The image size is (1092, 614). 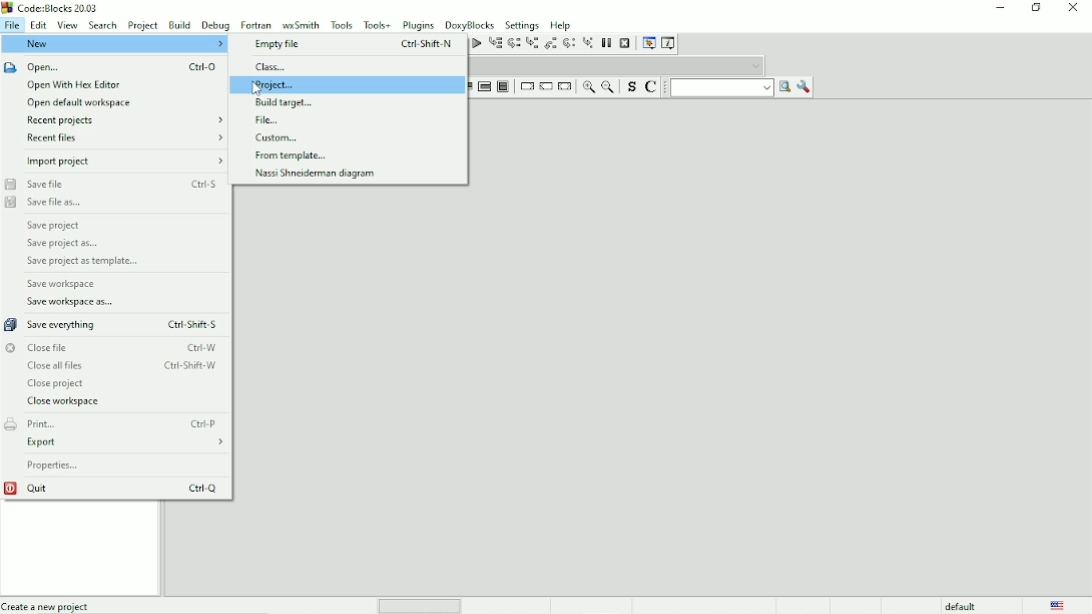 I want to click on Nassi Shneiderman diagram, so click(x=315, y=174).